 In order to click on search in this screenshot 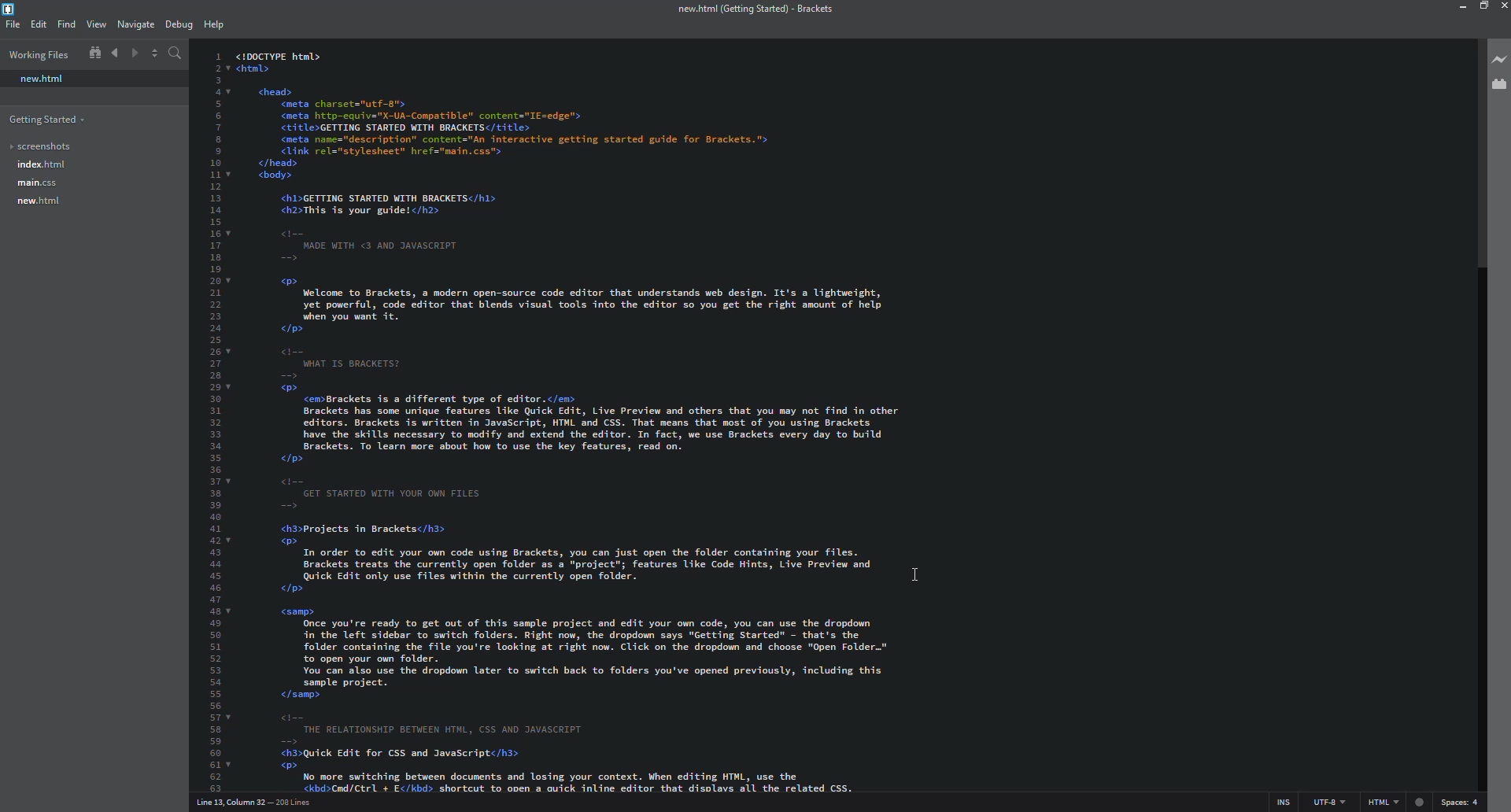, I will do `click(173, 54)`.